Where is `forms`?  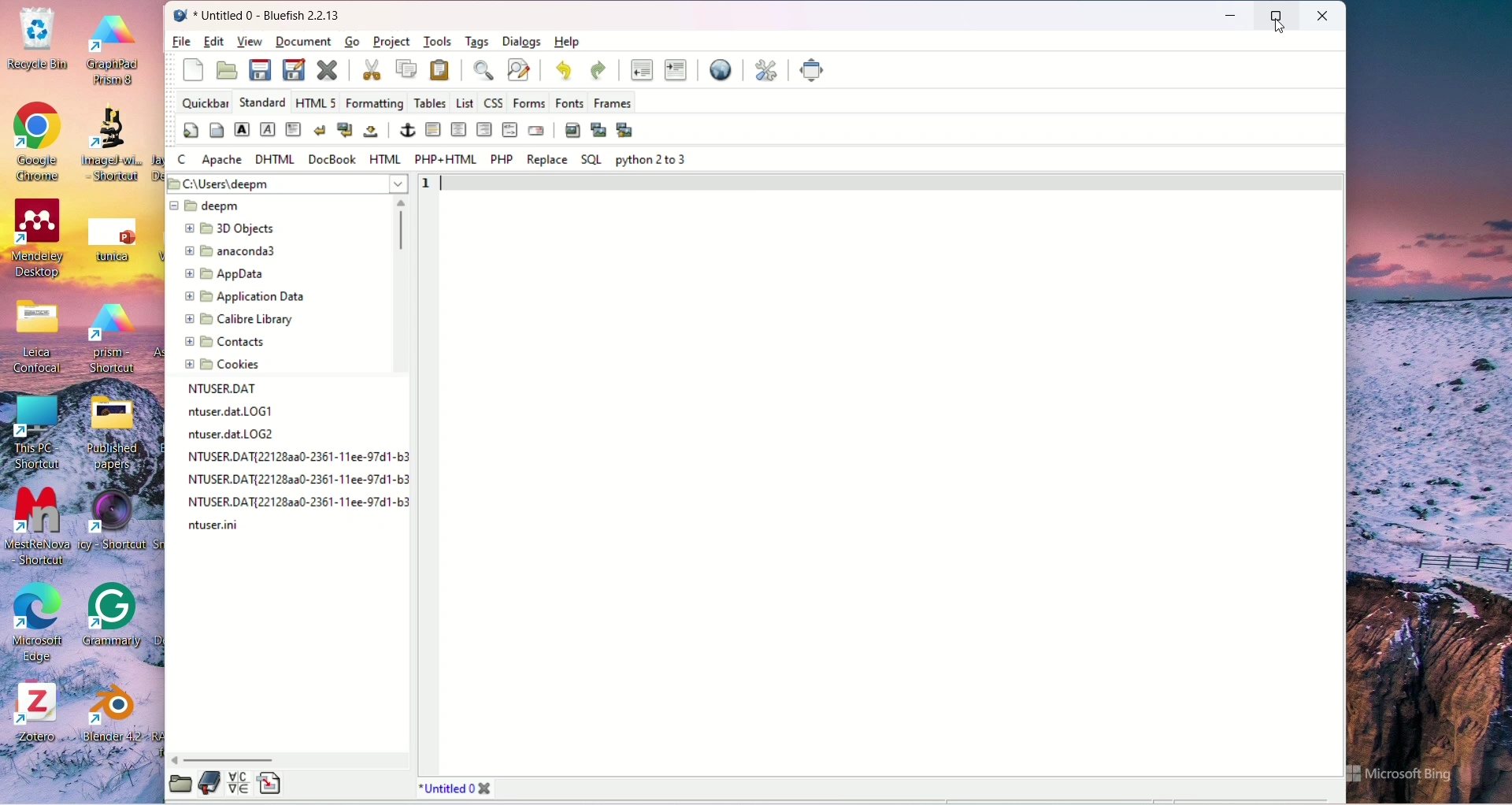 forms is located at coordinates (529, 102).